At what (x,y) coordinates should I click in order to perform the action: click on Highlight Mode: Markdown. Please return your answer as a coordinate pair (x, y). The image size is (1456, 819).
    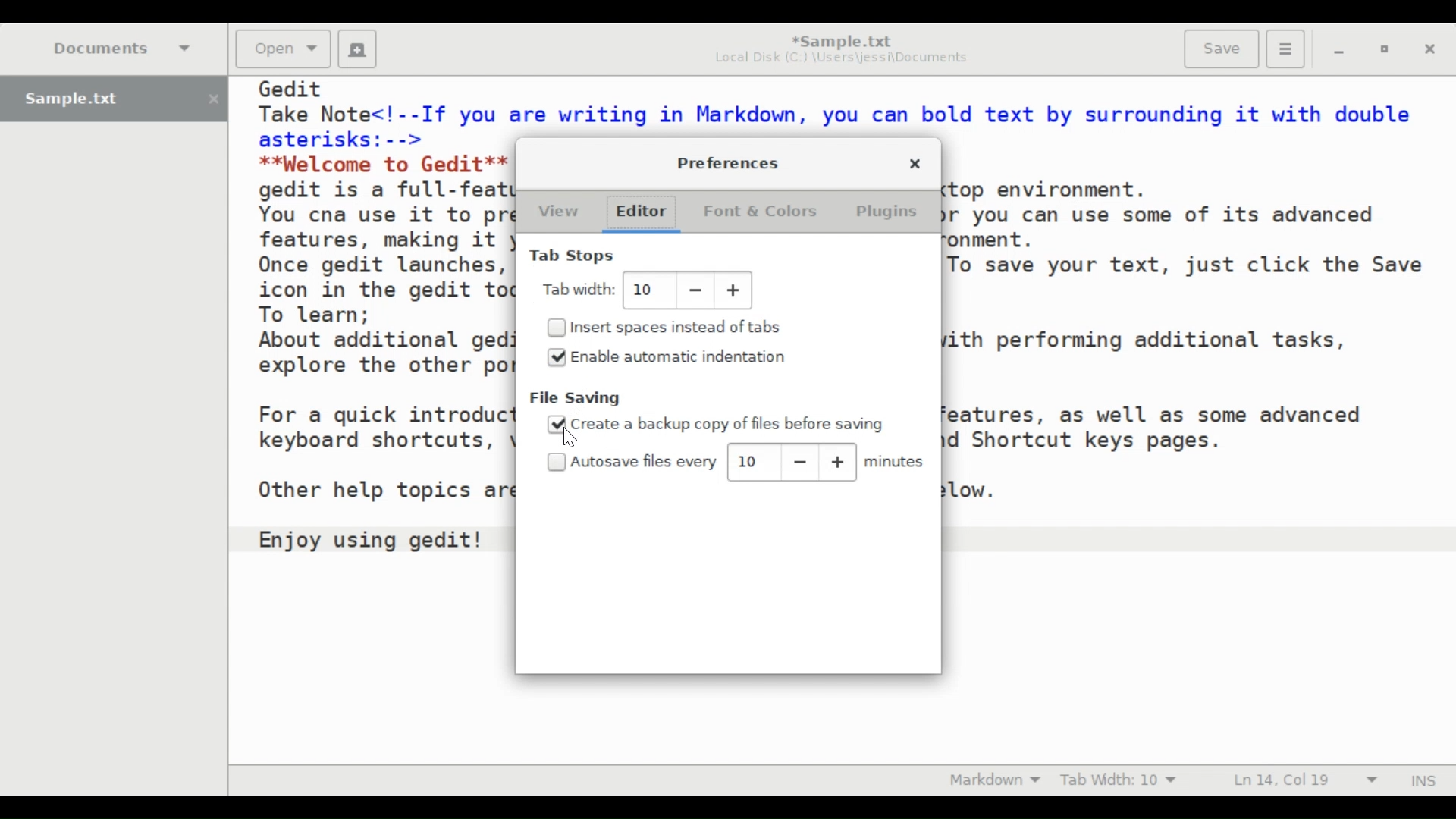
    Looking at the image, I should click on (995, 780).